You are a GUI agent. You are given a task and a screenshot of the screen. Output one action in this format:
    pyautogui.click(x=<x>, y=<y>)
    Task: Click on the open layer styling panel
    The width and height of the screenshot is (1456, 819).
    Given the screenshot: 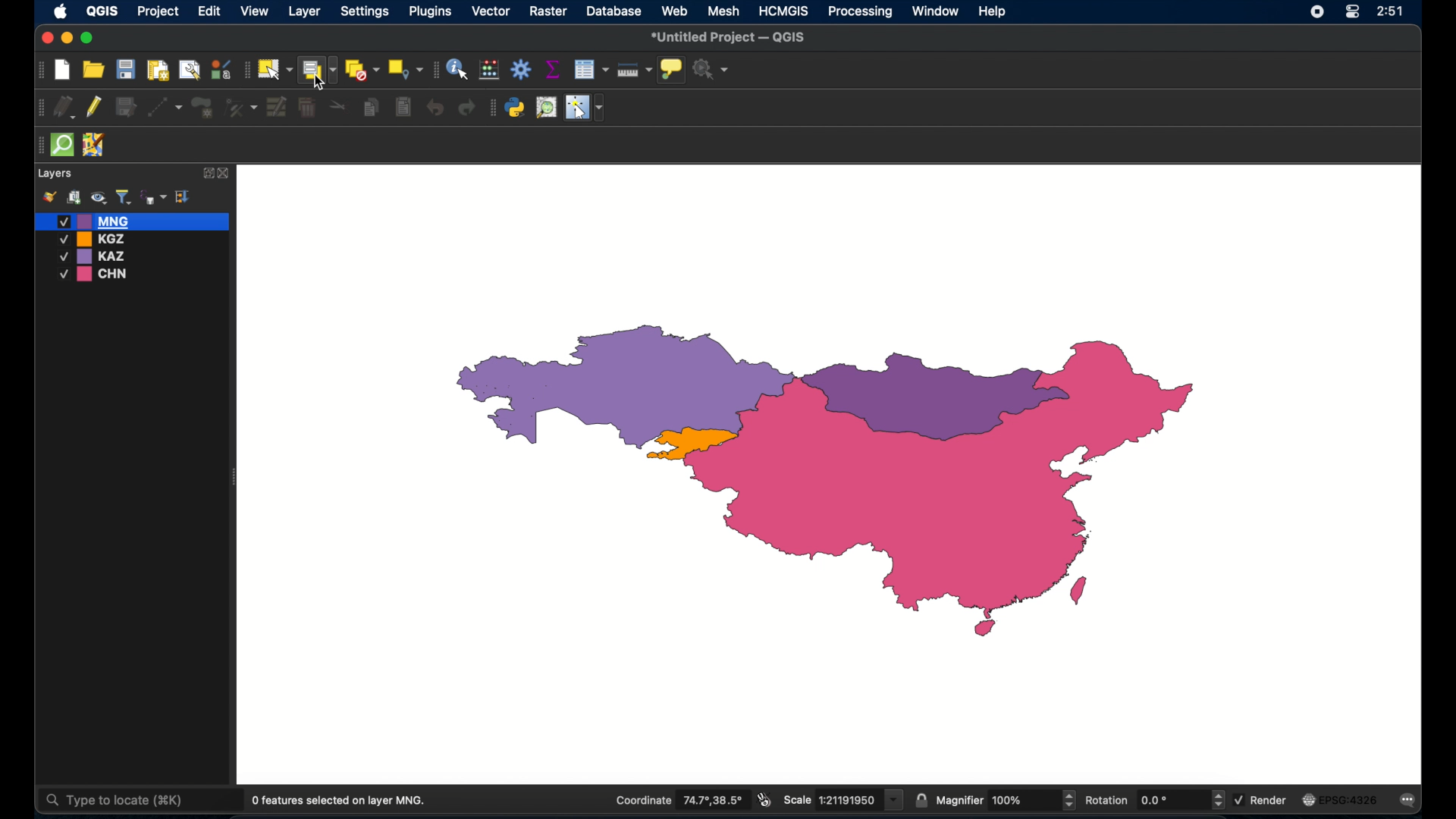 What is the action you would take?
    pyautogui.click(x=49, y=197)
    